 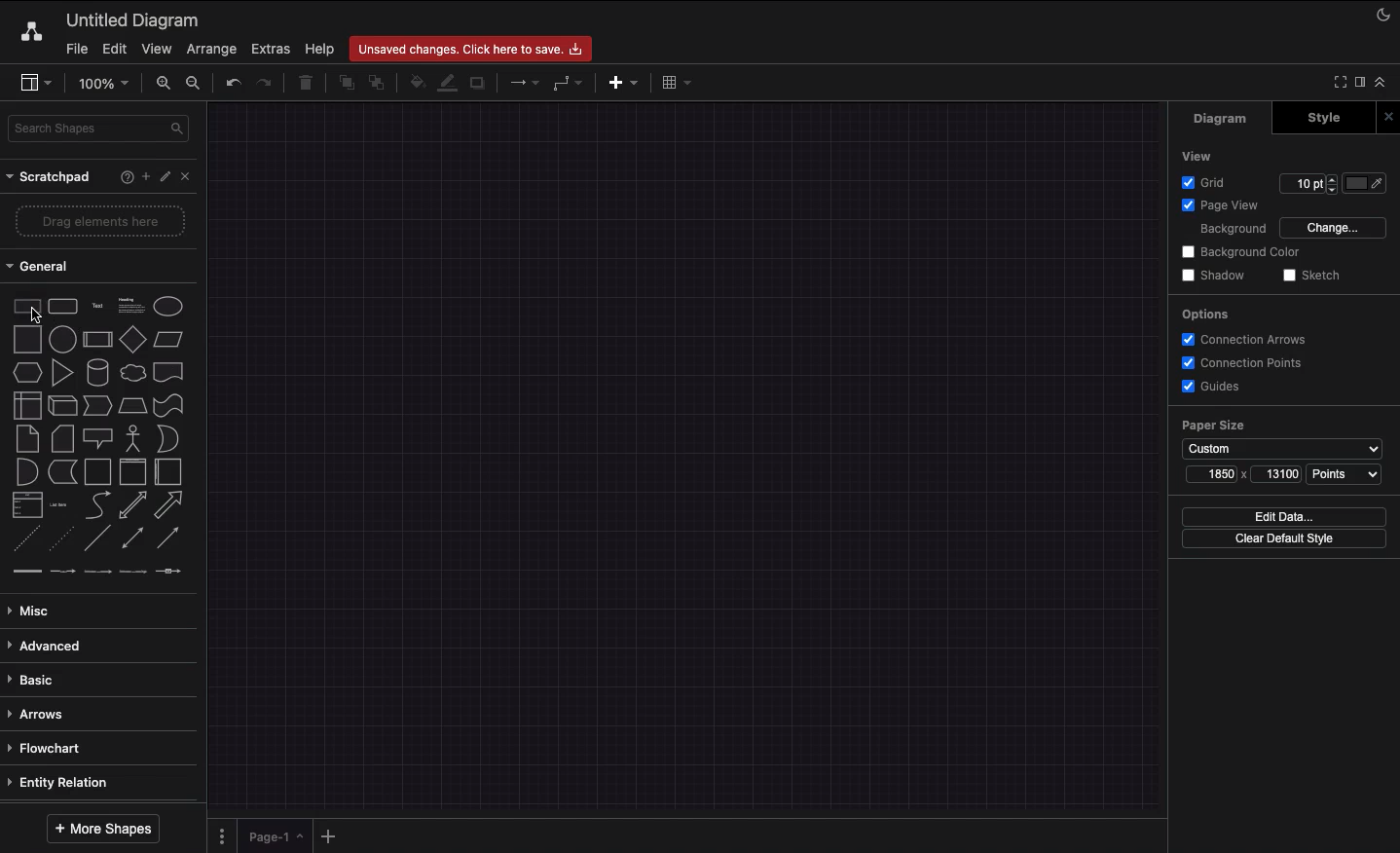 I want to click on Guides, so click(x=1219, y=389).